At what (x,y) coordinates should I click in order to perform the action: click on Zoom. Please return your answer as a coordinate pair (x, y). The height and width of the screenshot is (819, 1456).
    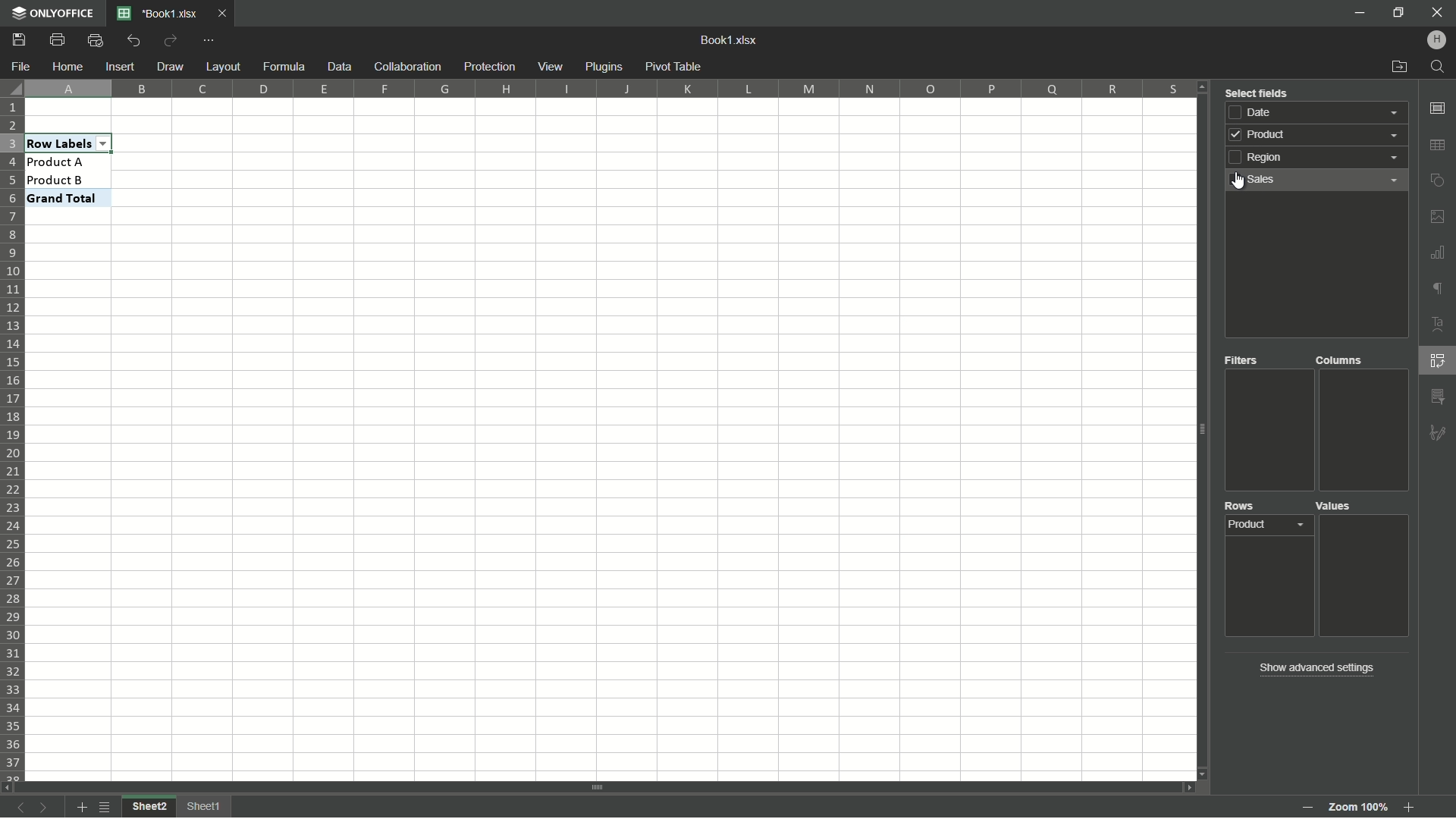
    Looking at the image, I should click on (1410, 810).